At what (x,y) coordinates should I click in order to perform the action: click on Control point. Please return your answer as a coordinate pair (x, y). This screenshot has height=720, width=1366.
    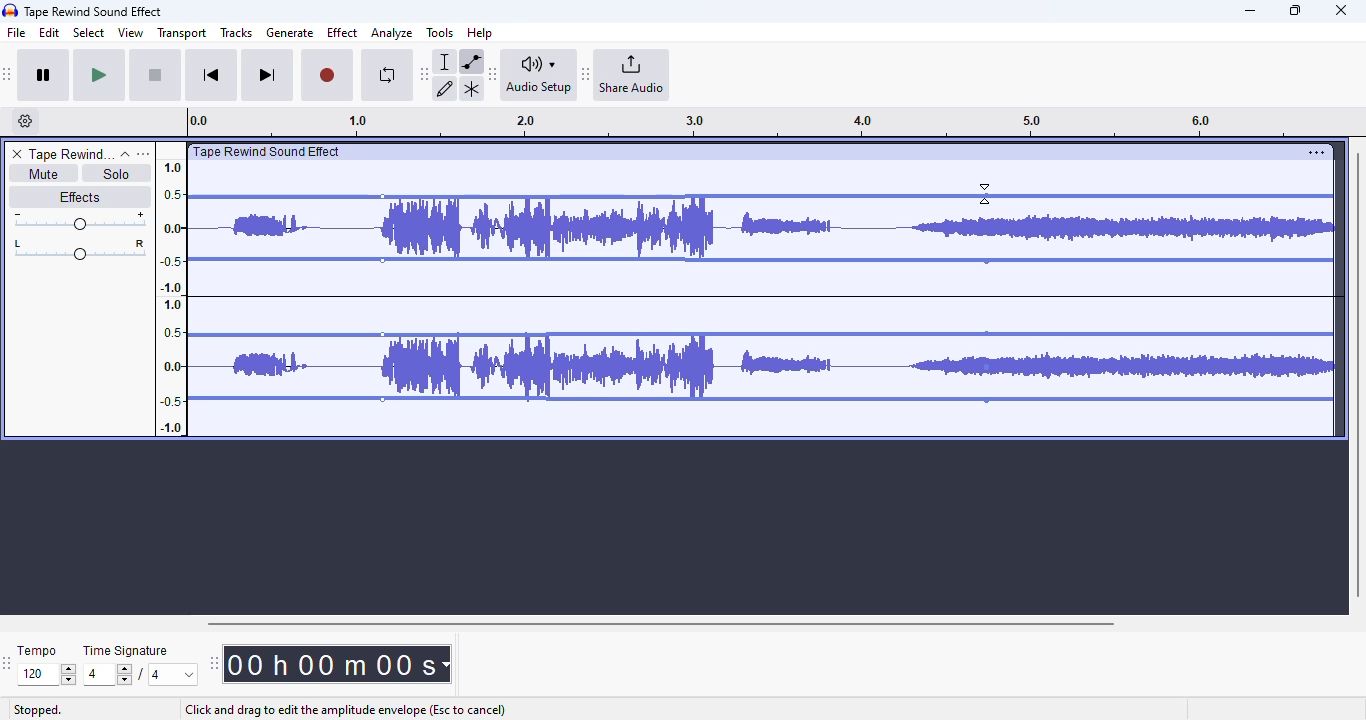
    Looking at the image, I should click on (987, 334).